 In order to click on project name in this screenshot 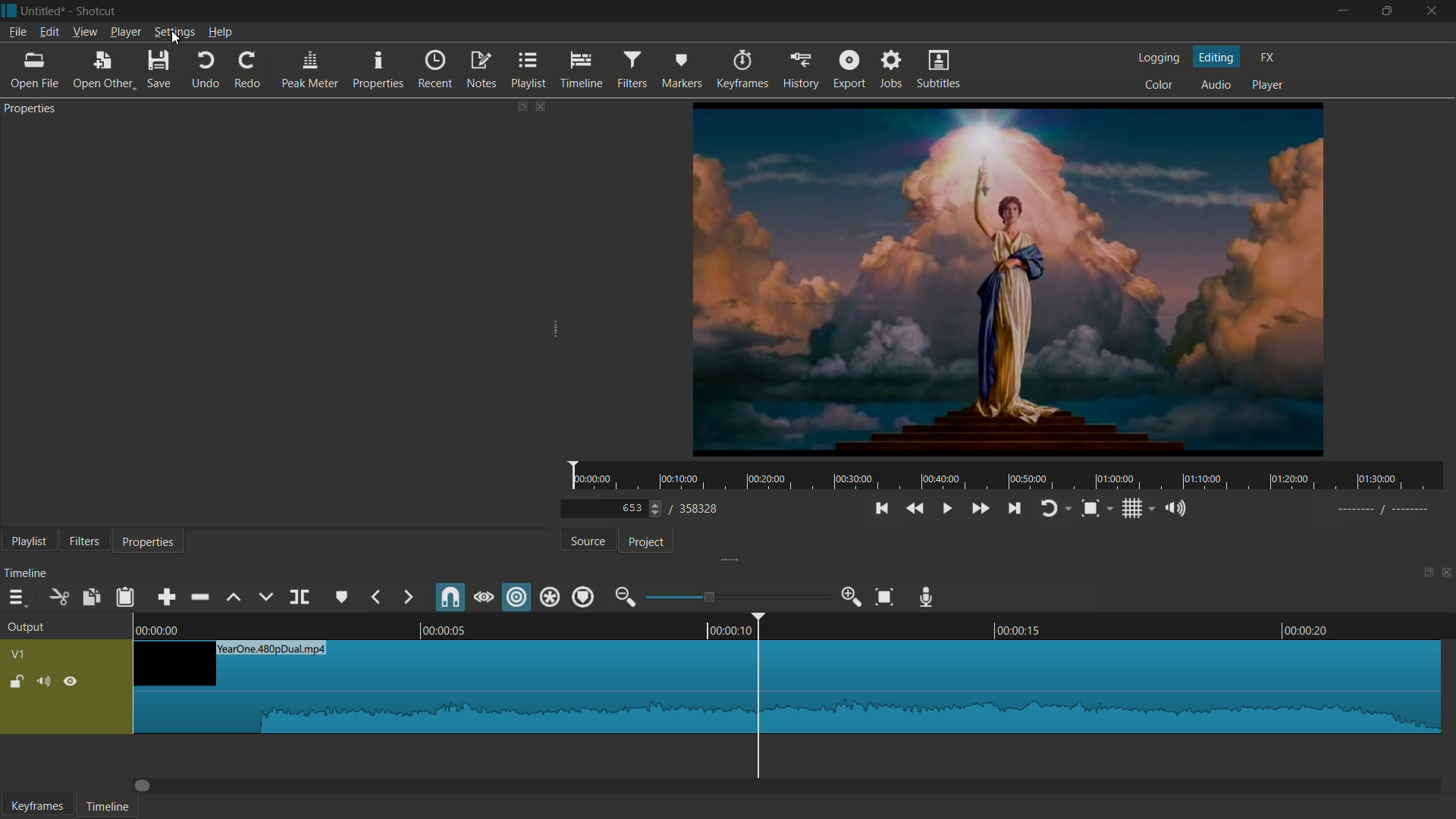, I will do `click(42, 11)`.